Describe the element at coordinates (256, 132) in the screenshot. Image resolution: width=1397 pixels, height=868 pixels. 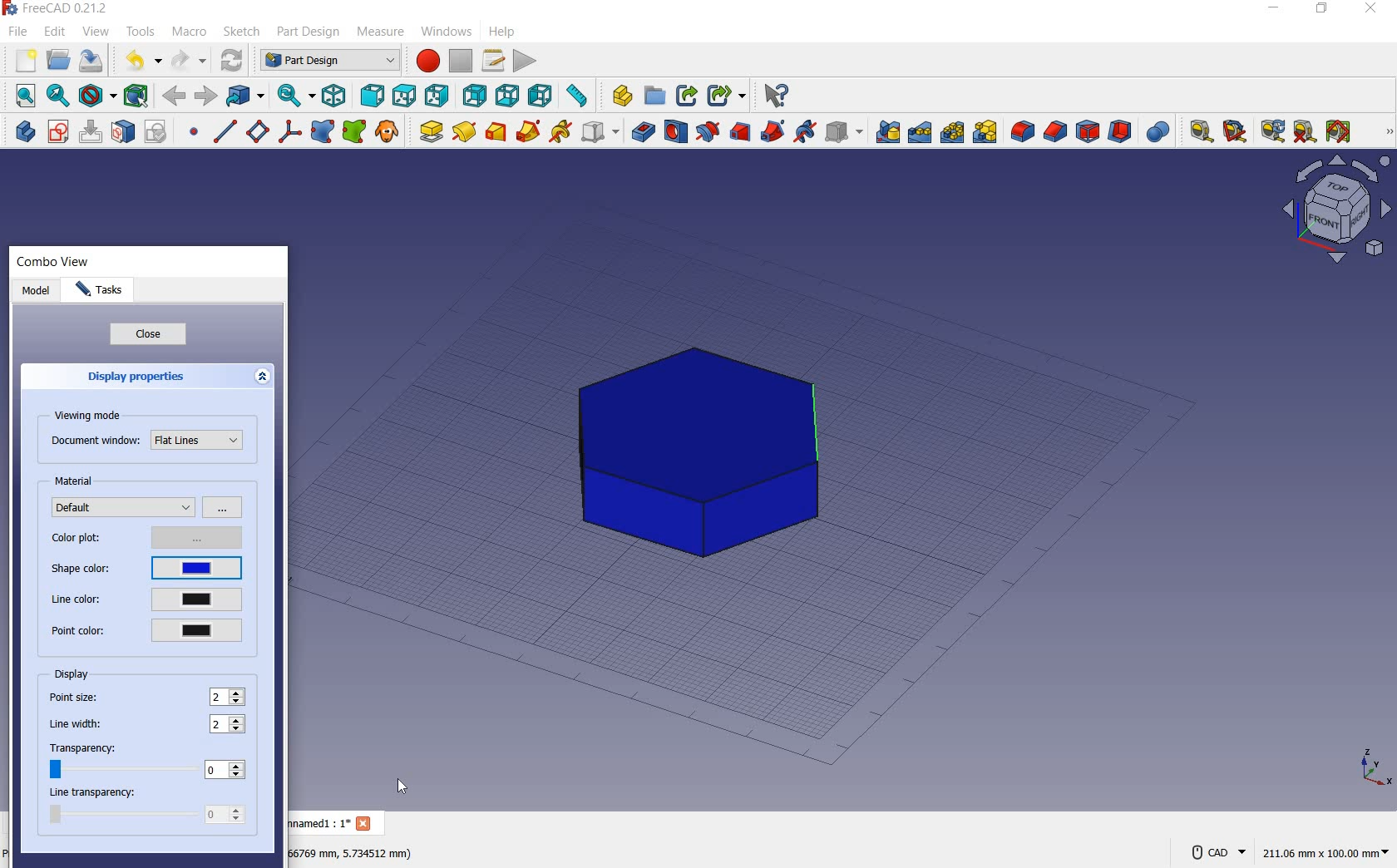
I see `create a datum plane` at that location.